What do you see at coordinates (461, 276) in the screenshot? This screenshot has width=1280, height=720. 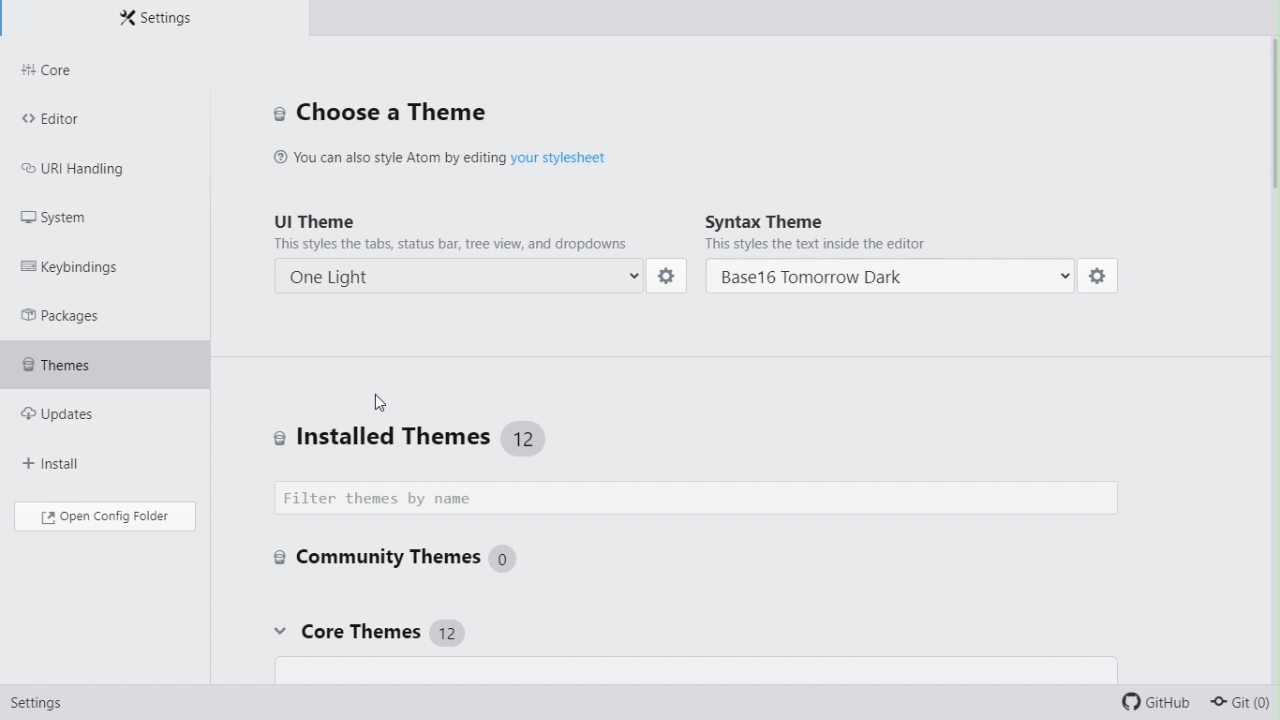 I see `One Dark` at bounding box center [461, 276].